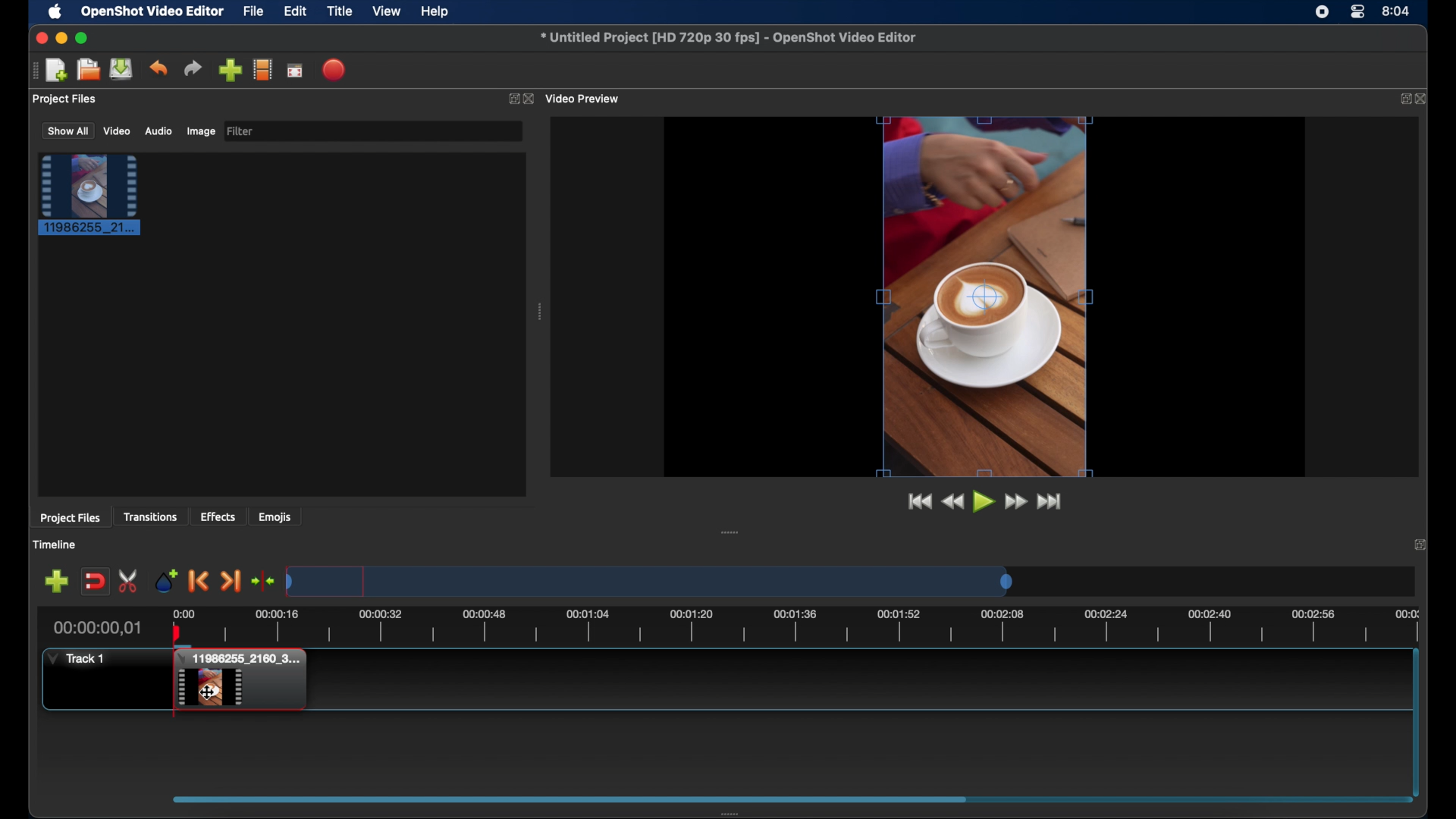 Image resolution: width=1456 pixels, height=819 pixels. What do you see at coordinates (814, 625) in the screenshot?
I see `timeline ` at bounding box center [814, 625].